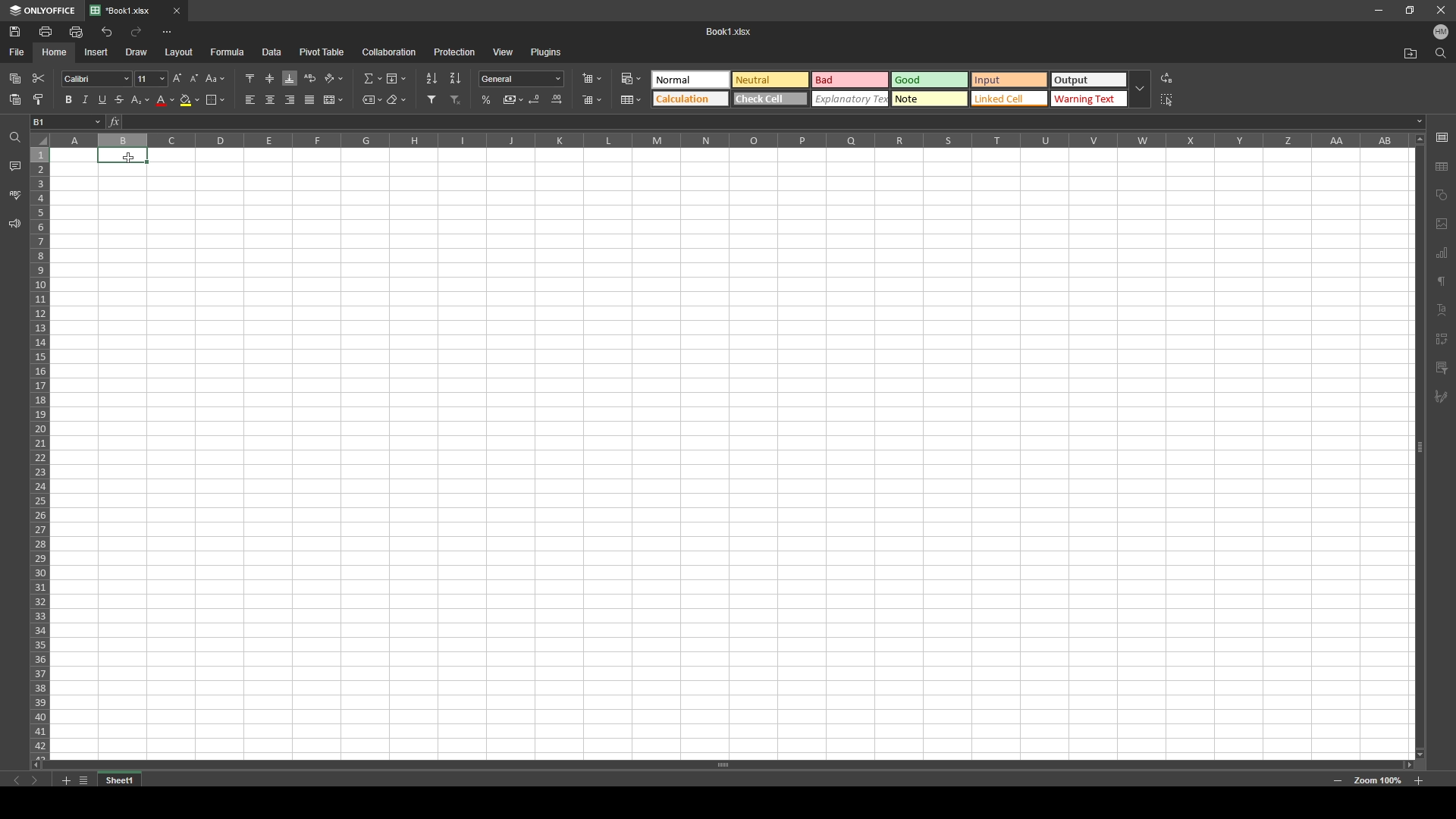 This screenshot has width=1456, height=819. What do you see at coordinates (852, 99) in the screenshot?
I see `Explanatory text` at bounding box center [852, 99].